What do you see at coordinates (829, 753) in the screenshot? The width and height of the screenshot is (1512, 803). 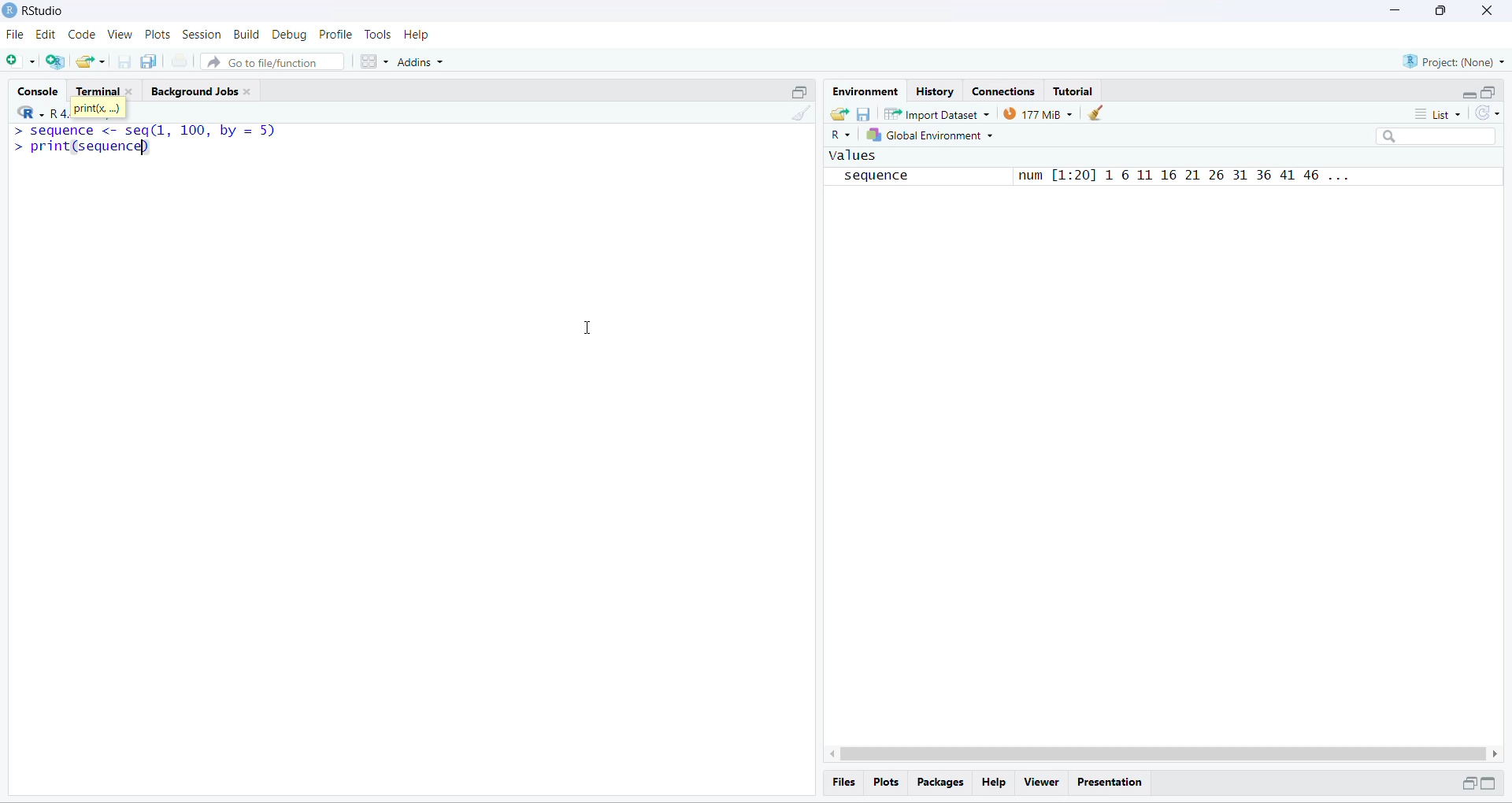 I see `scroll left` at bounding box center [829, 753].